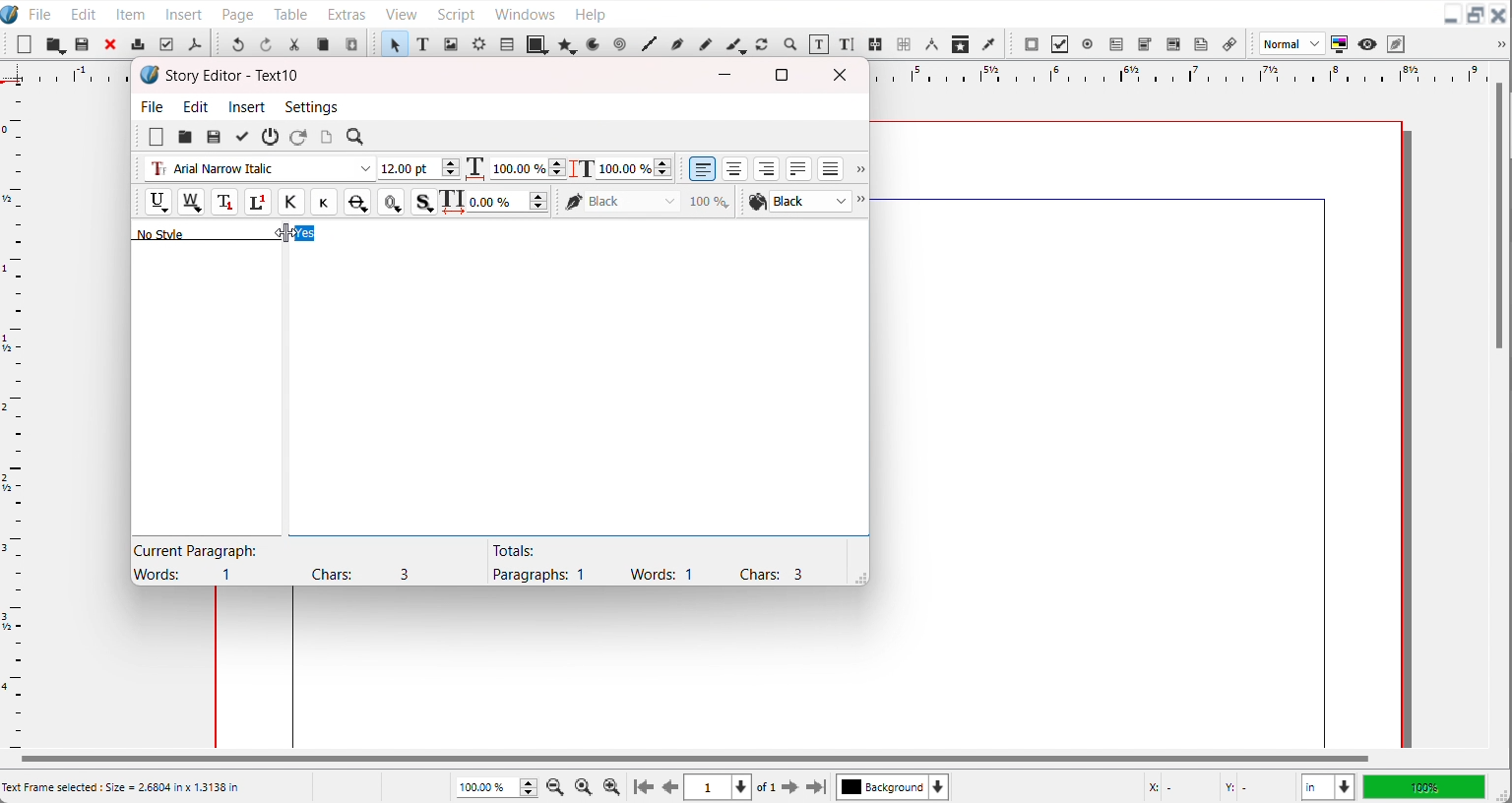 The height and width of the screenshot is (803, 1512). Describe the element at coordinates (649, 44) in the screenshot. I see `Line` at that location.